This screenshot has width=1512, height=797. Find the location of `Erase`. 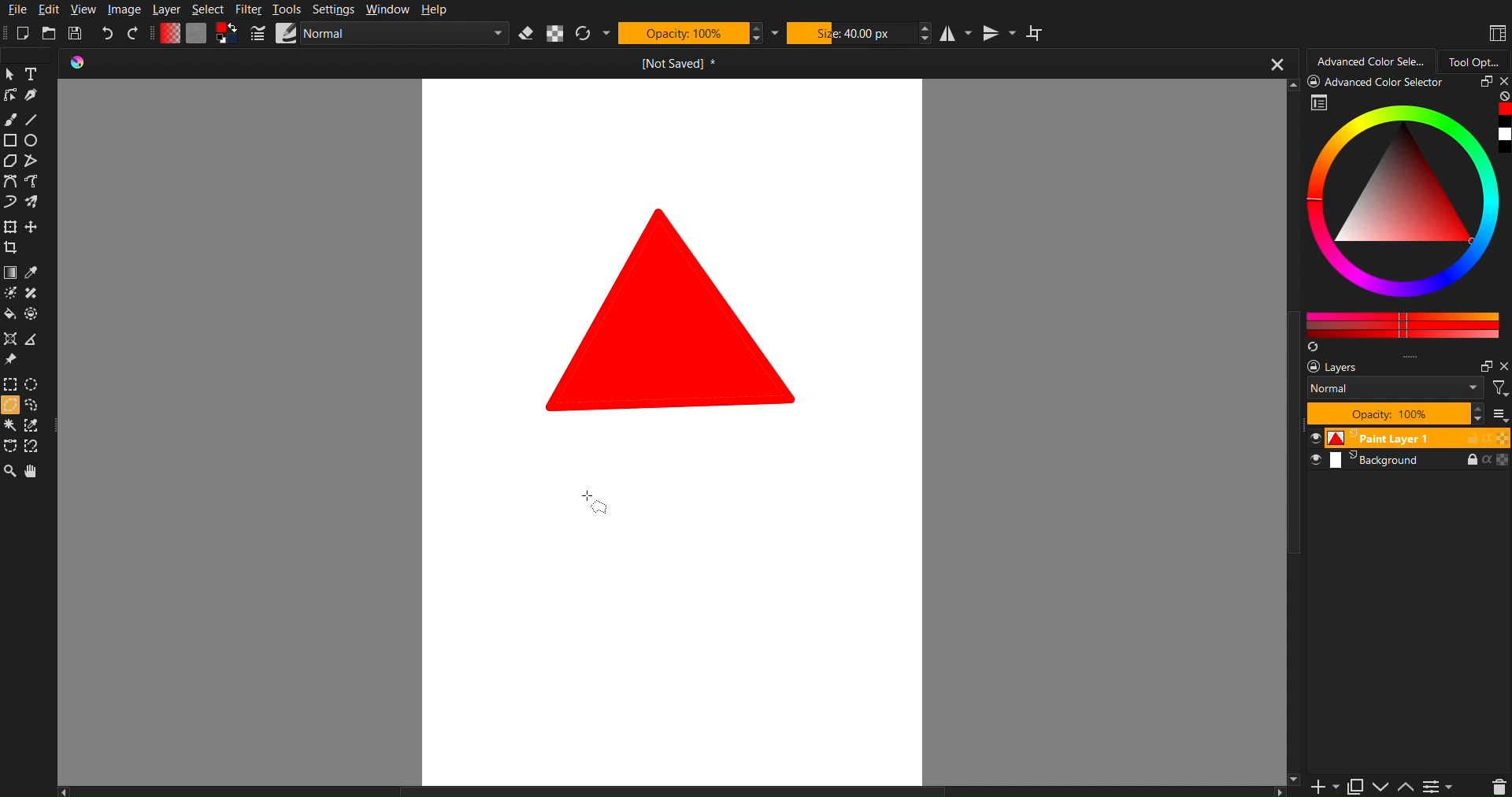

Erase is located at coordinates (525, 31).